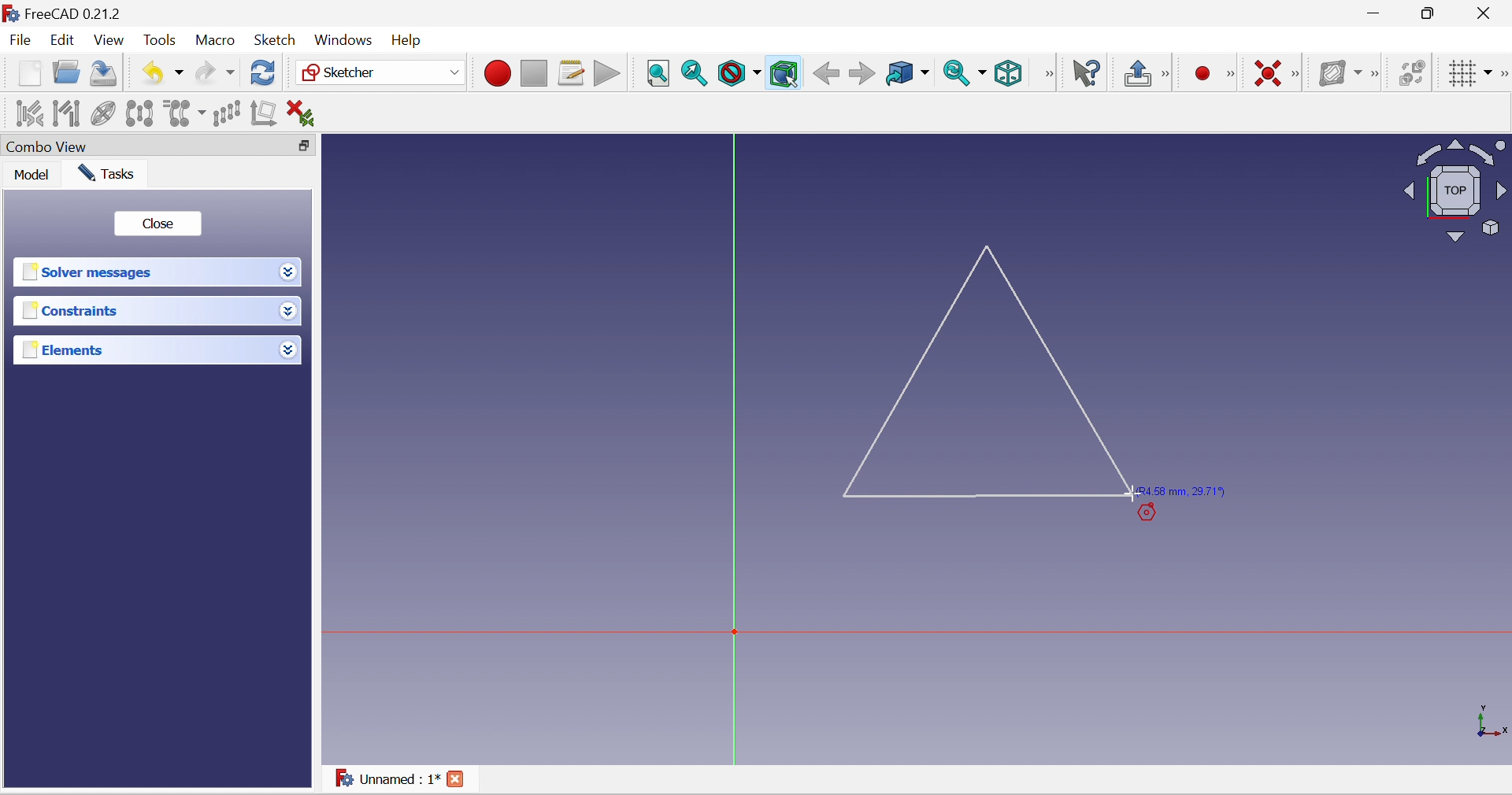  What do you see at coordinates (862, 74) in the screenshot?
I see `Forward` at bounding box center [862, 74].